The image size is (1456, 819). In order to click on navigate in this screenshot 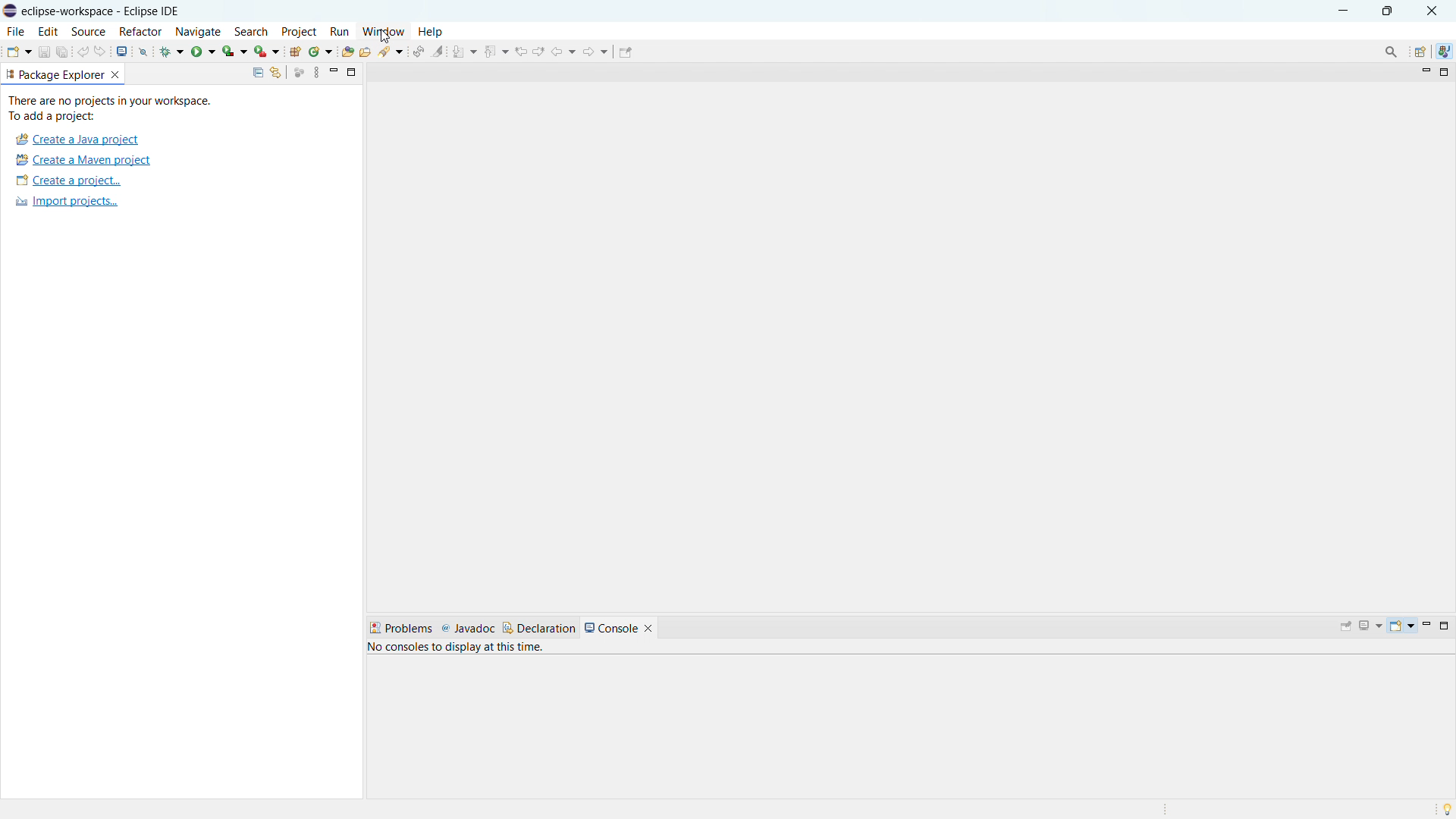, I will do `click(199, 32)`.